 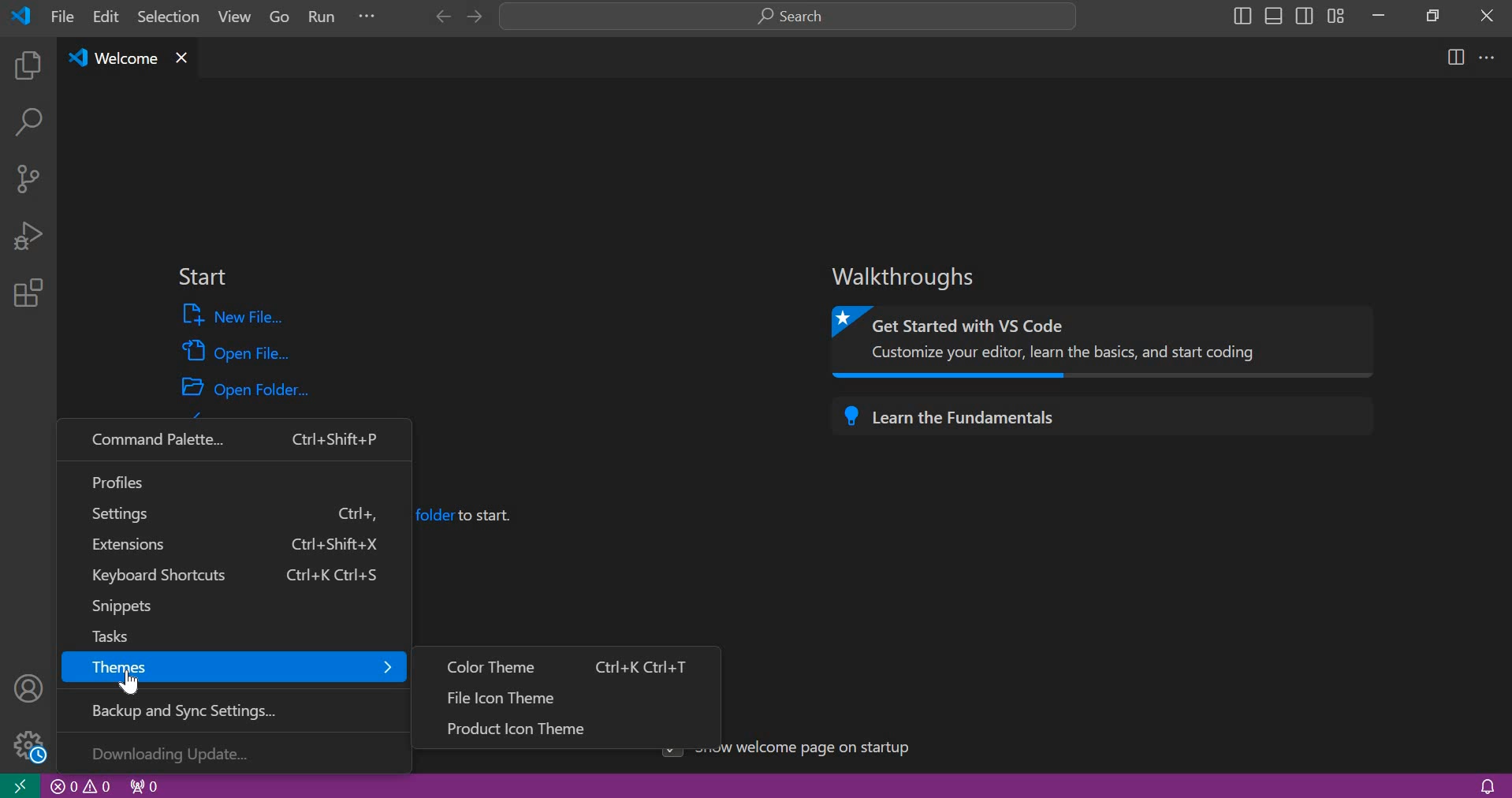 I want to click on split editor right, so click(x=1457, y=57).